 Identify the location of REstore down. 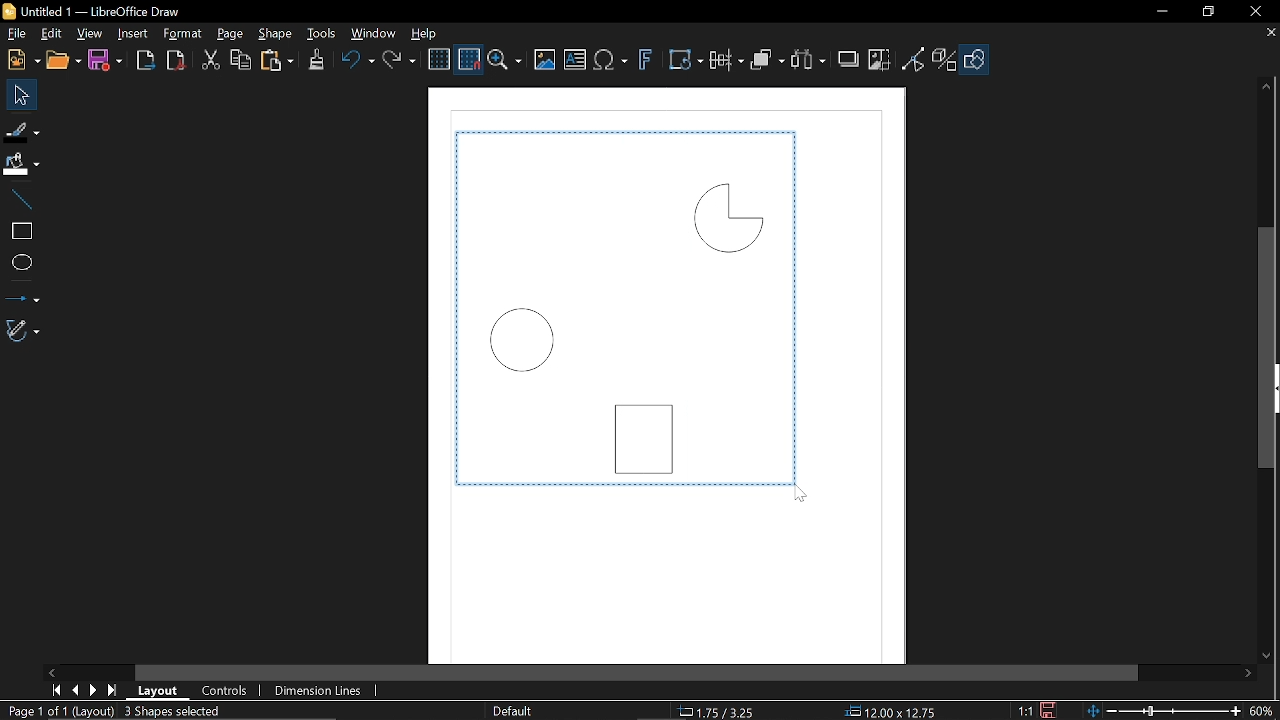
(1211, 15).